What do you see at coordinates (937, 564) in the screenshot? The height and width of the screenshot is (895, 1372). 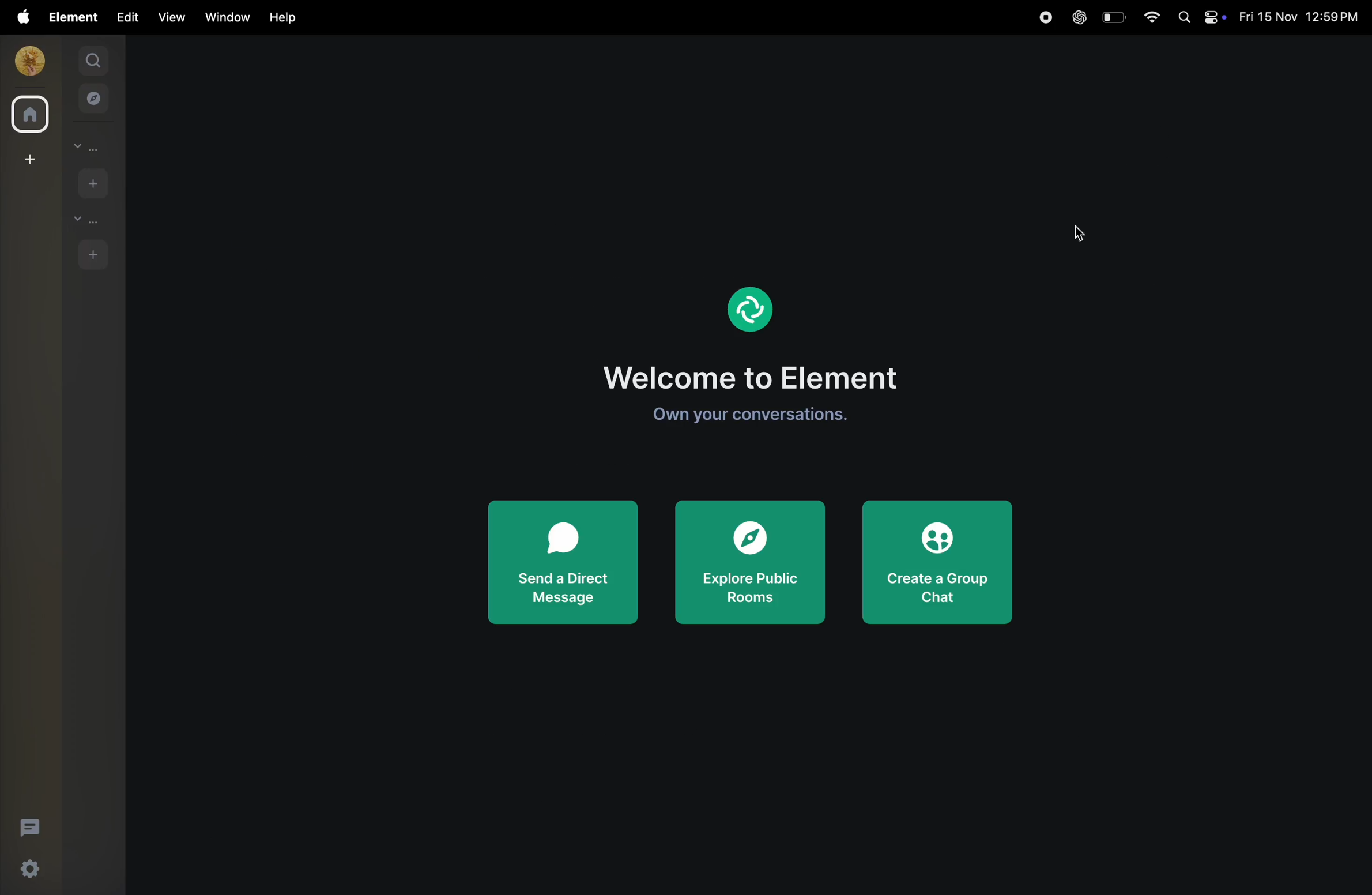 I see `create group chat` at bounding box center [937, 564].